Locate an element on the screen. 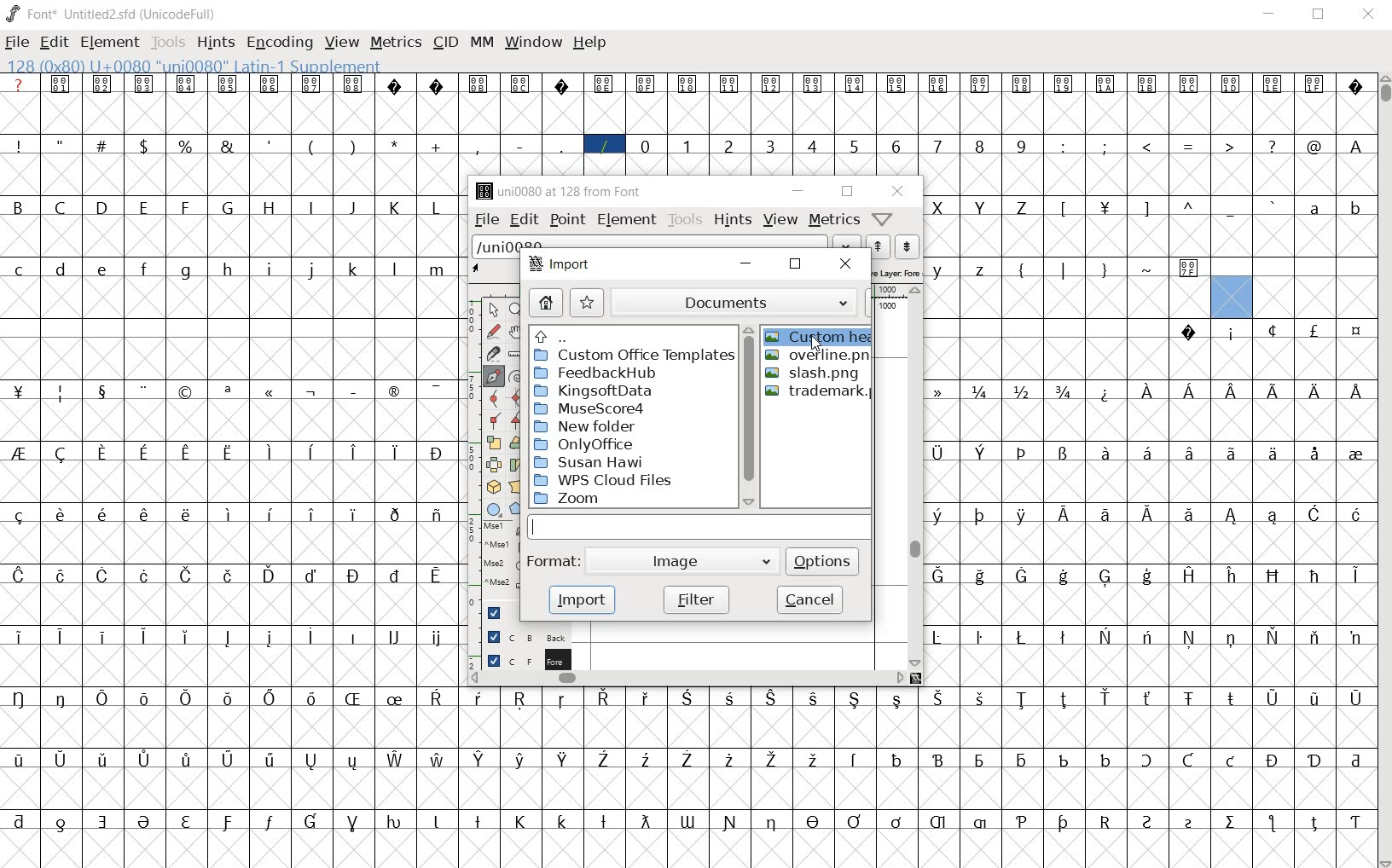  glyph is located at coordinates (1023, 761).